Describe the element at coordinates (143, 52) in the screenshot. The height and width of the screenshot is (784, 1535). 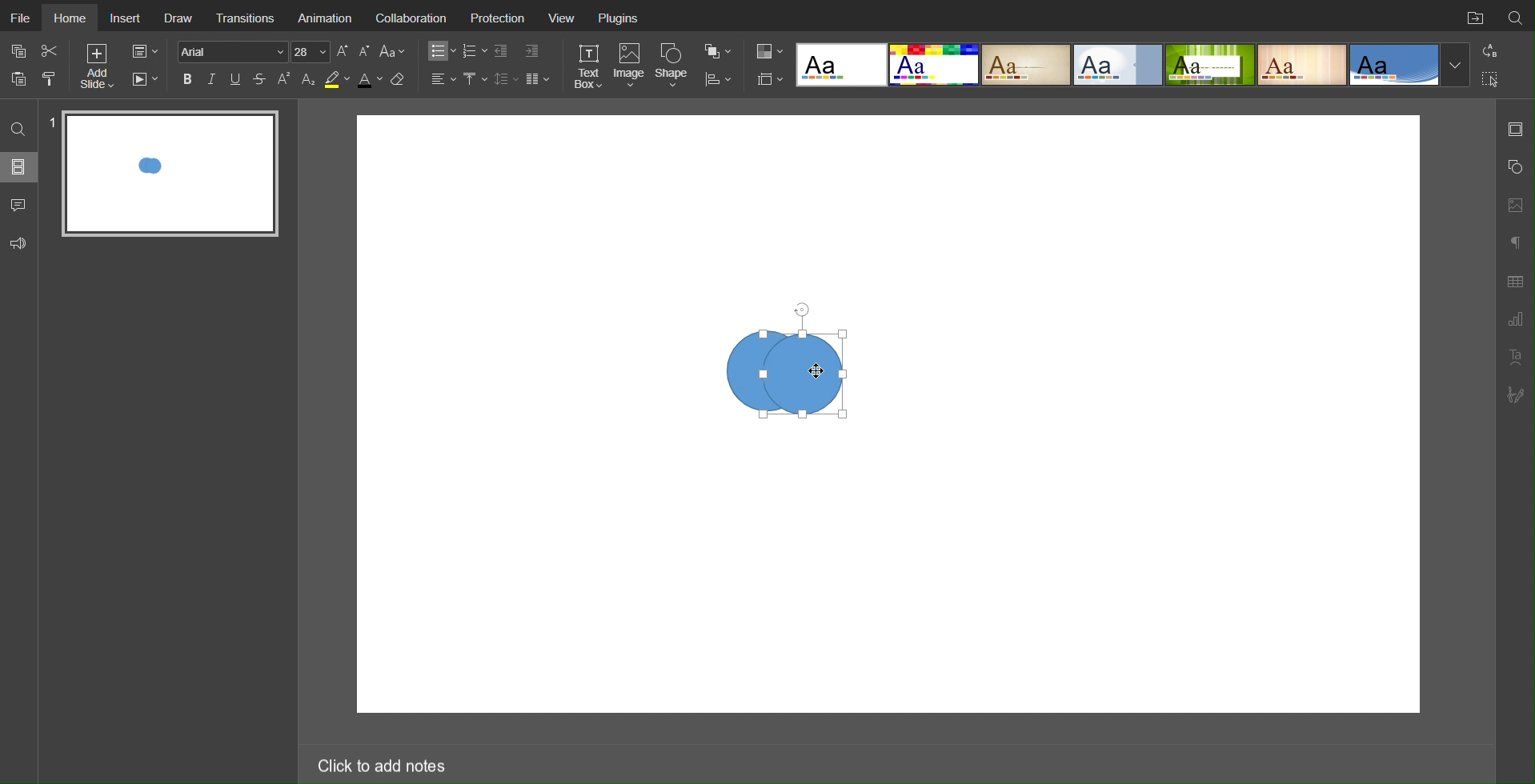
I see `Slide Settings` at that location.